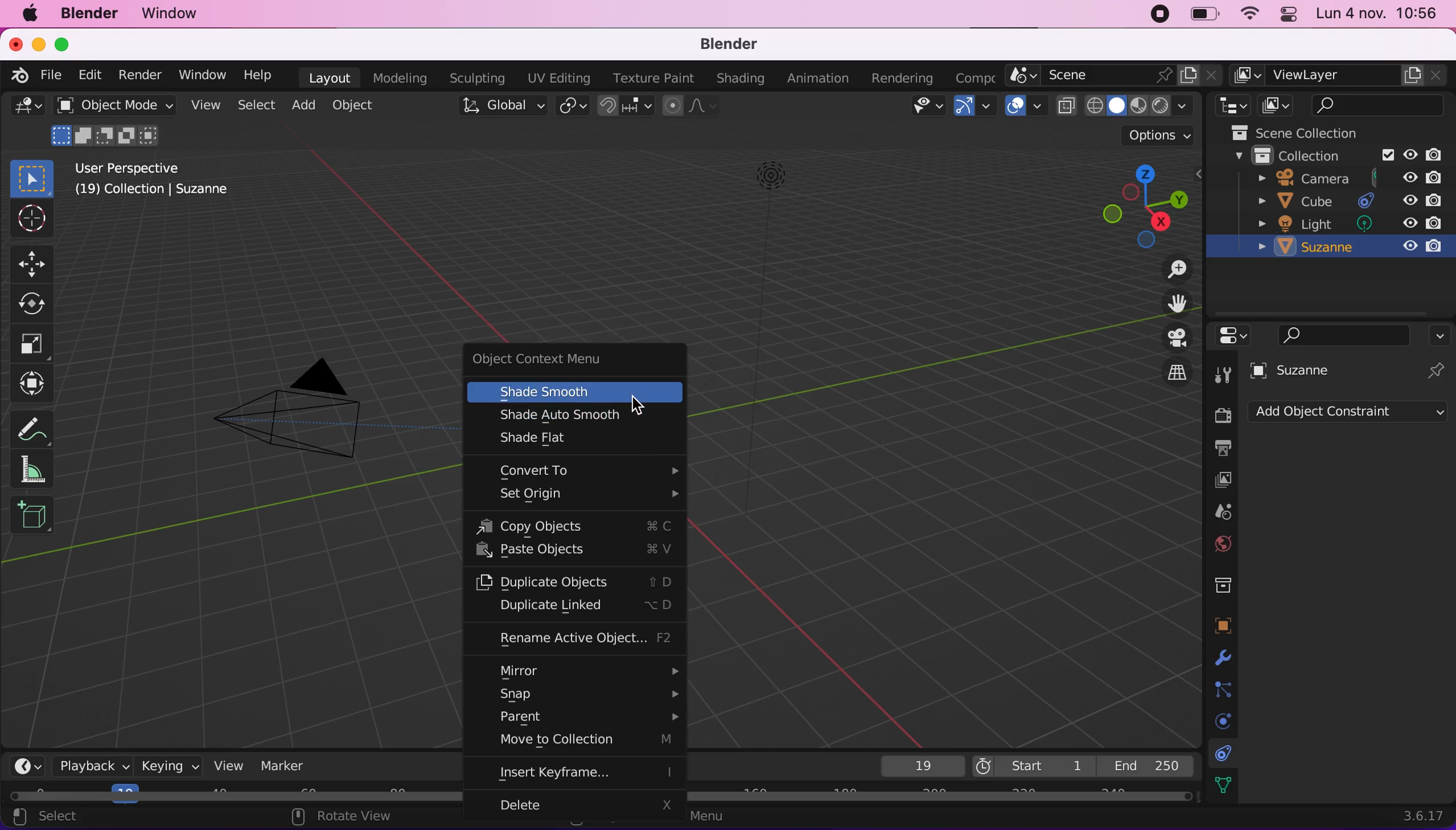 Image resolution: width=1456 pixels, height=830 pixels. Describe the element at coordinates (1310, 133) in the screenshot. I see `scene collection` at that location.